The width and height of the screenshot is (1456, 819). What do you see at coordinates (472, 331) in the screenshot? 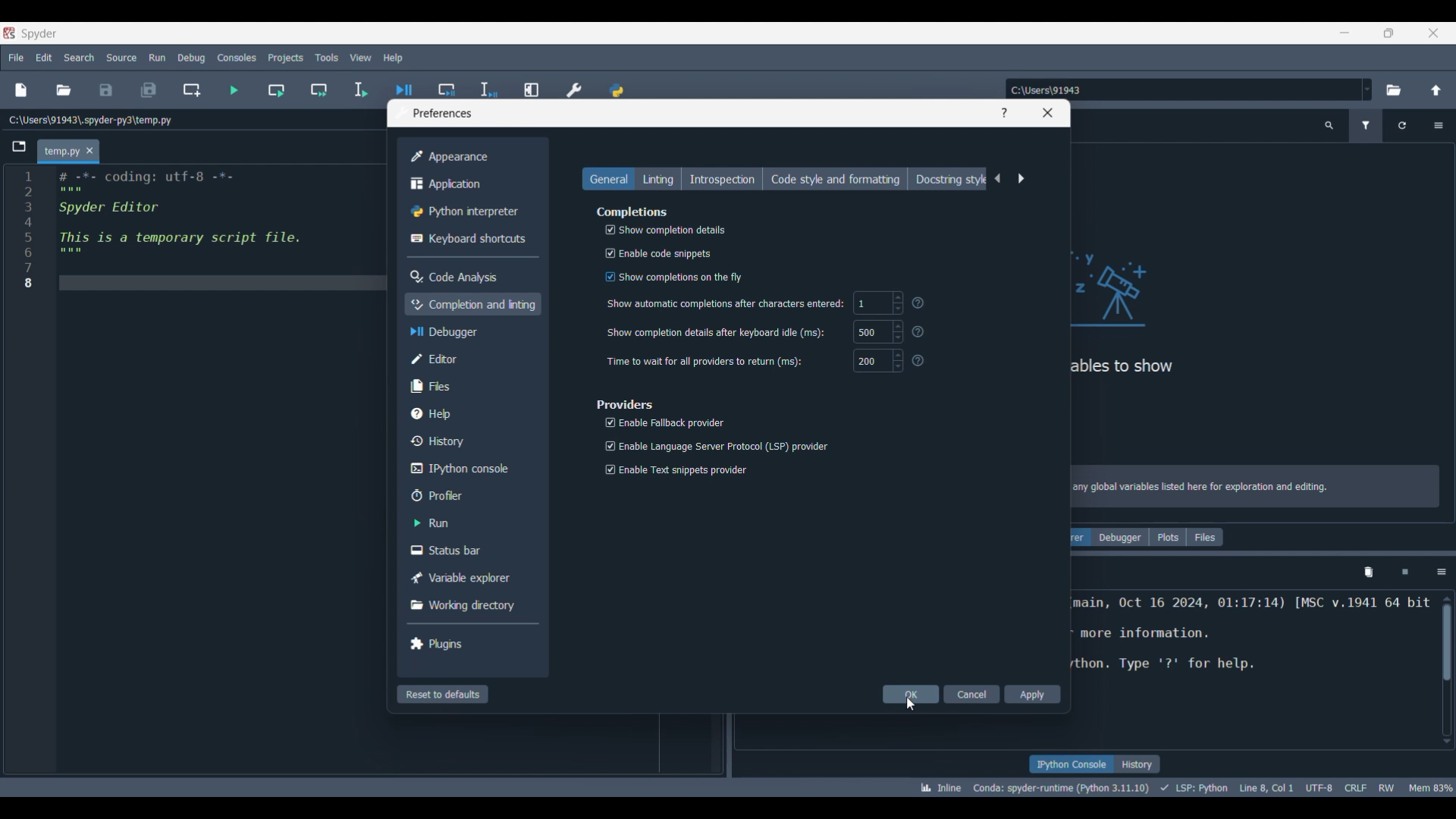
I see `Debugger` at bounding box center [472, 331].